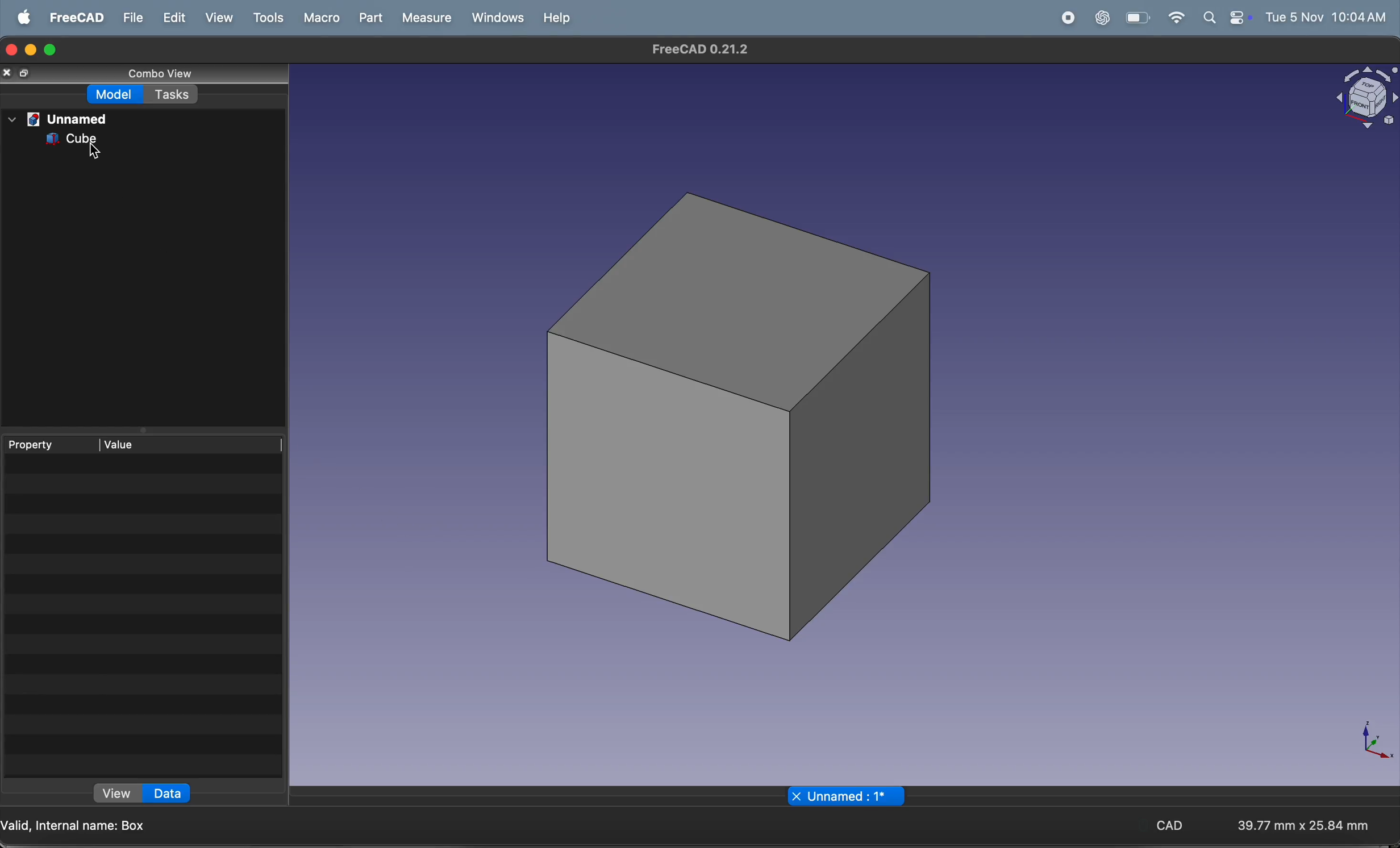  I want to click on object view, so click(1361, 98).